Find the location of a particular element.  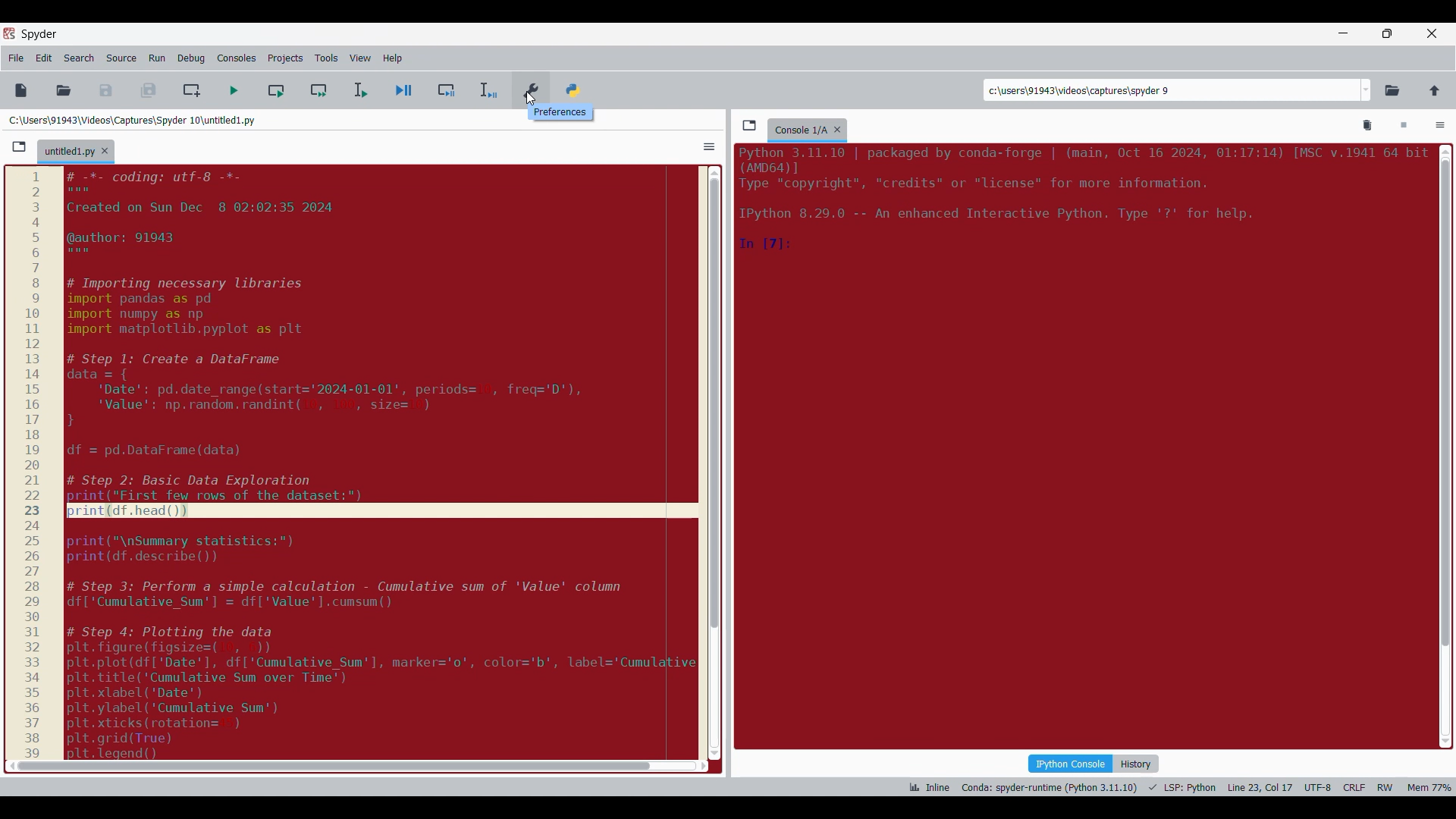

Browse tabs is located at coordinates (749, 125).